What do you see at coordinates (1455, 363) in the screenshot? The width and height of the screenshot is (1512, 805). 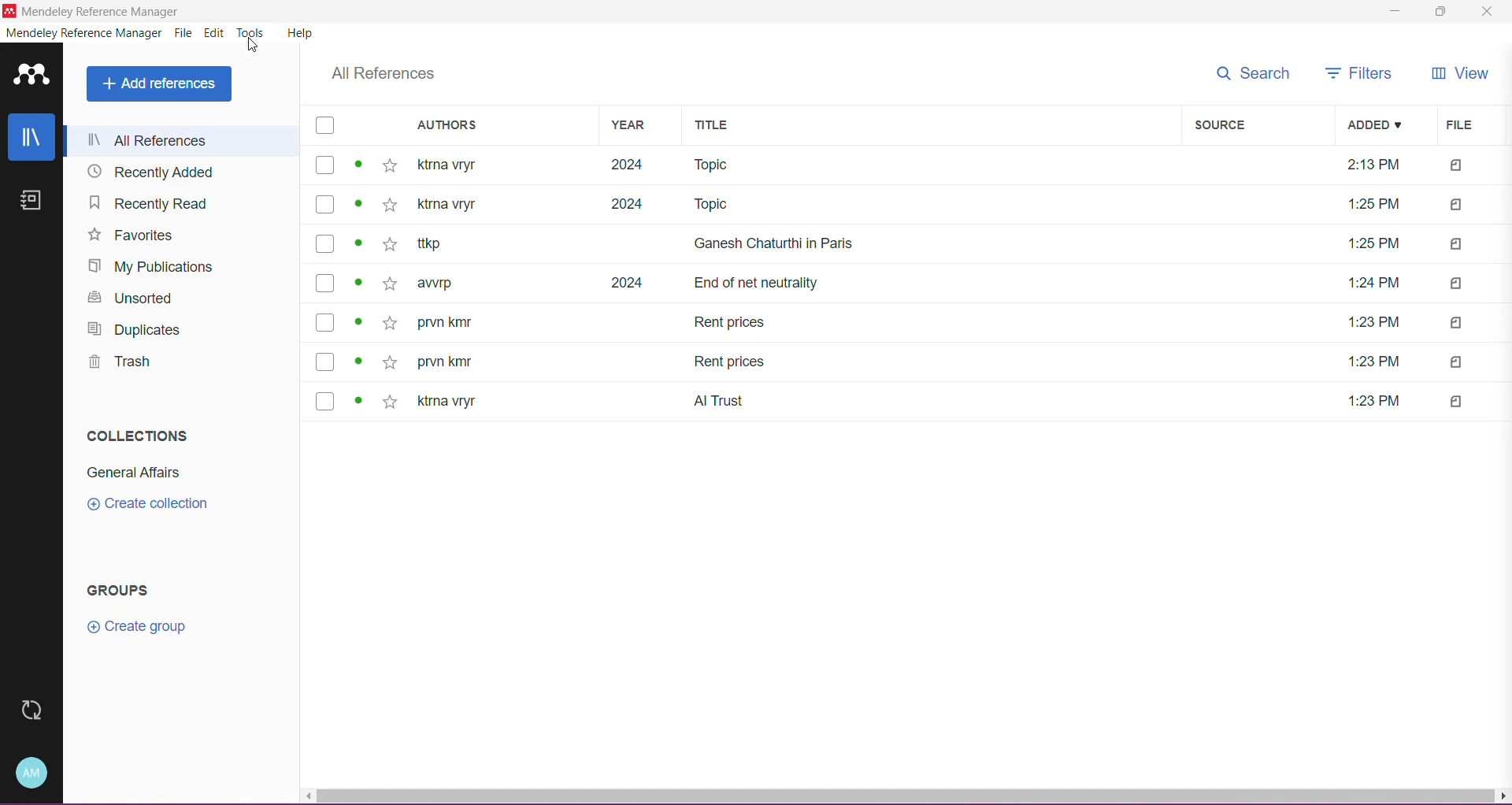 I see `file` at bounding box center [1455, 363].